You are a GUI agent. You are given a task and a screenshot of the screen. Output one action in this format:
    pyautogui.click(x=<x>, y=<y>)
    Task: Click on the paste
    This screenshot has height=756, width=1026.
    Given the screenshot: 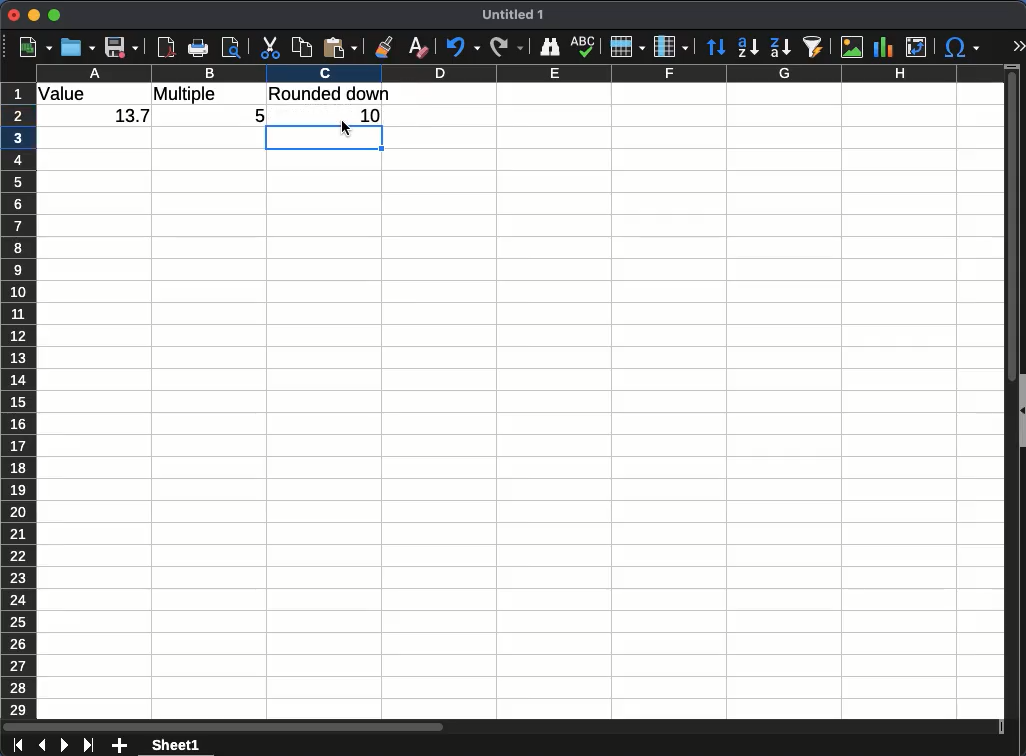 What is the action you would take?
    pyautogui.click(x=342, y=47)
    